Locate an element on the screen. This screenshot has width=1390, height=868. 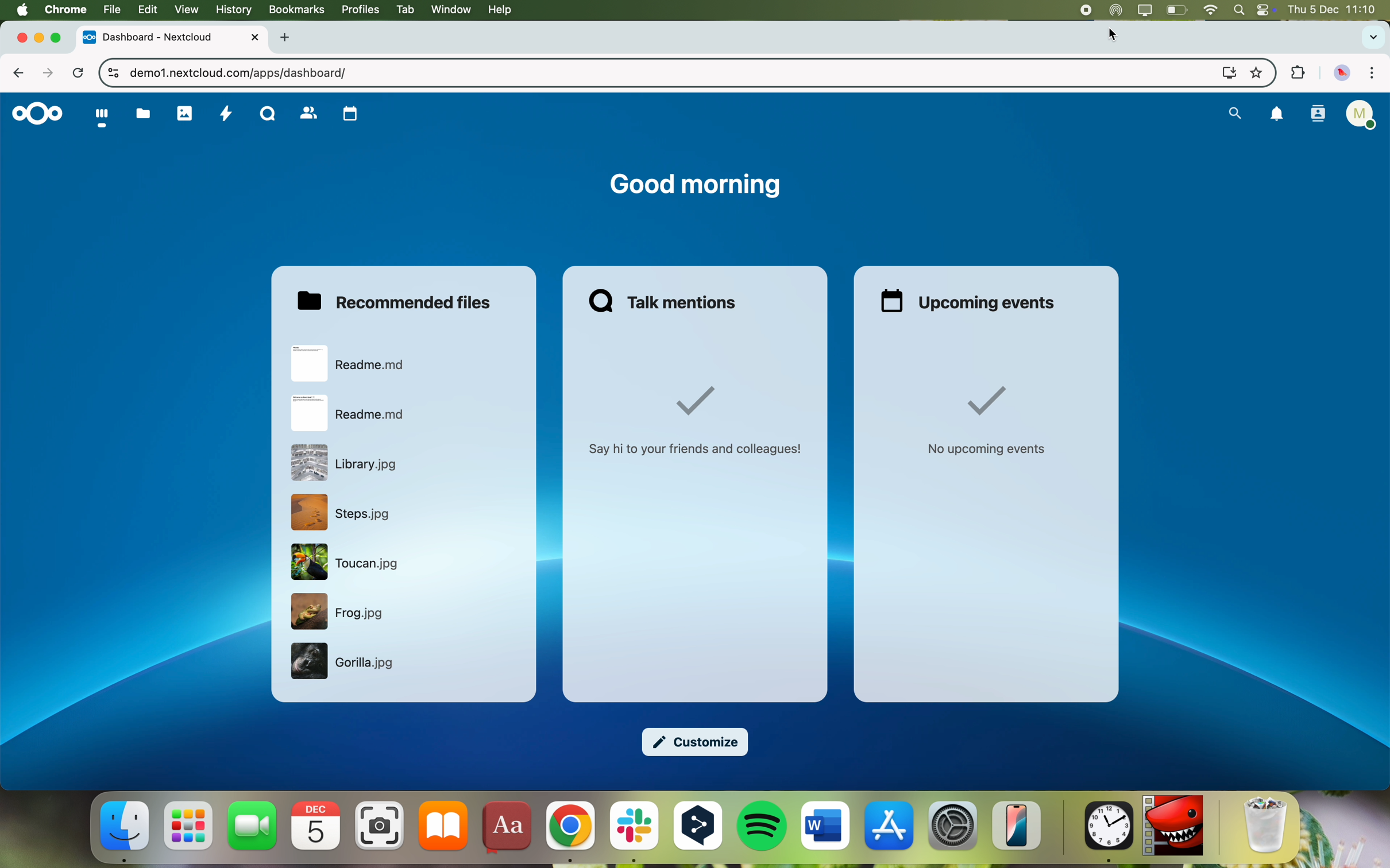
extensions is located at coordinates (1296, 74).